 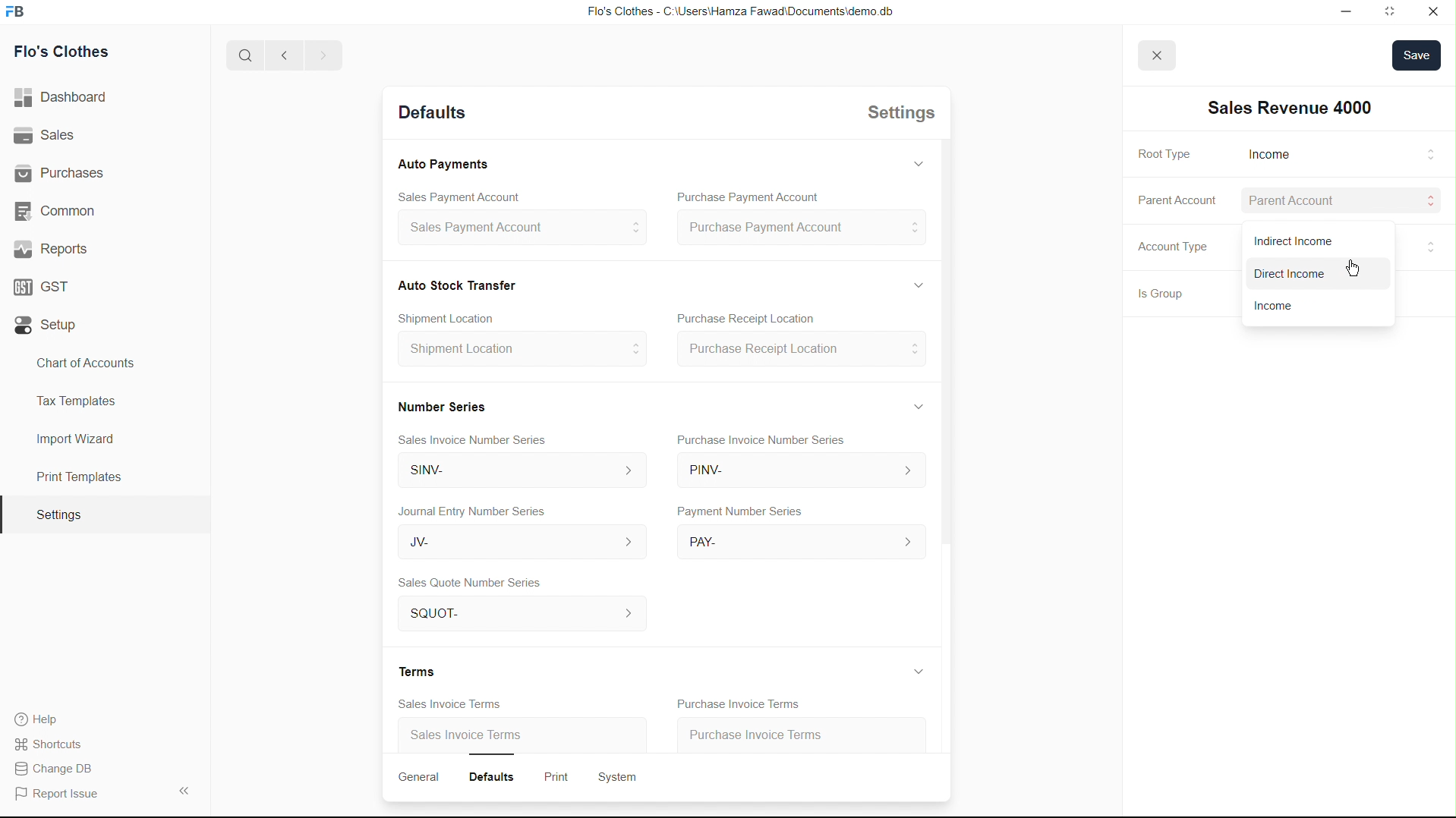 What do you see at coordinates (513, 543) in the screenshot?
I see `JV-` at bounding box center [513, 543].